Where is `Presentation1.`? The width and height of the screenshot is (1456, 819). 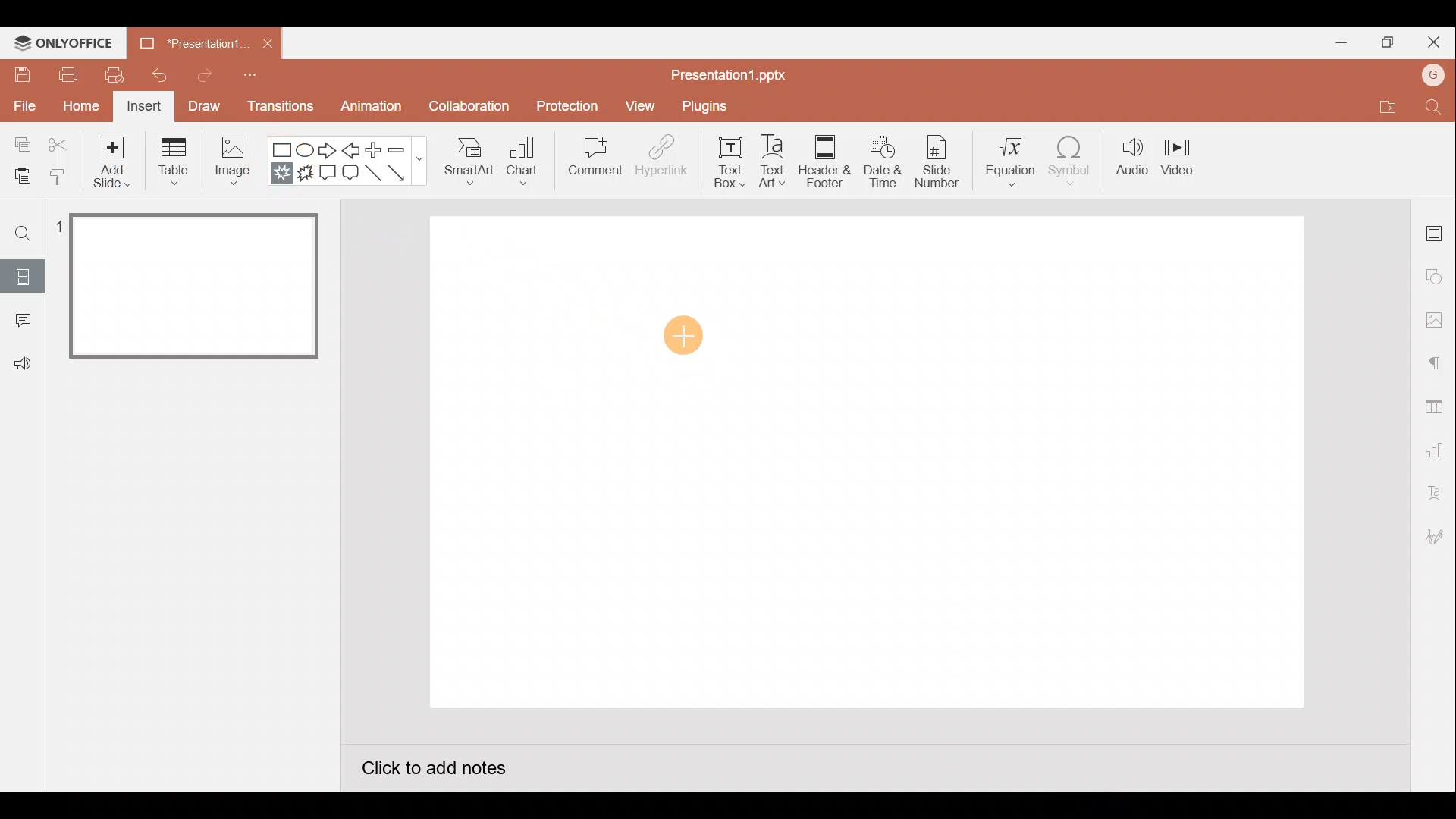 Presentation1. is located at coordinates (190, 41).